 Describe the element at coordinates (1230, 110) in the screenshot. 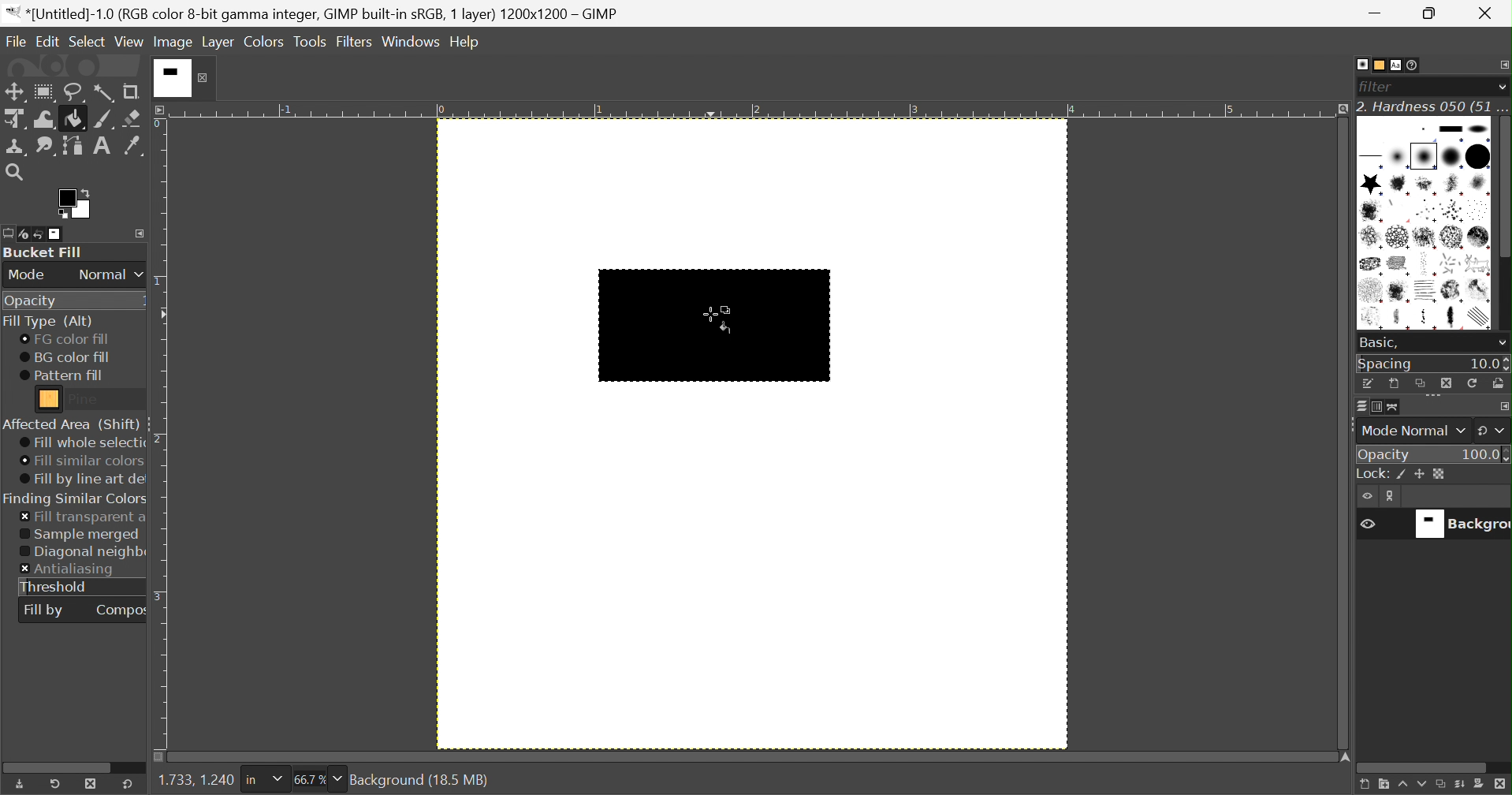

I see `5` at that location.